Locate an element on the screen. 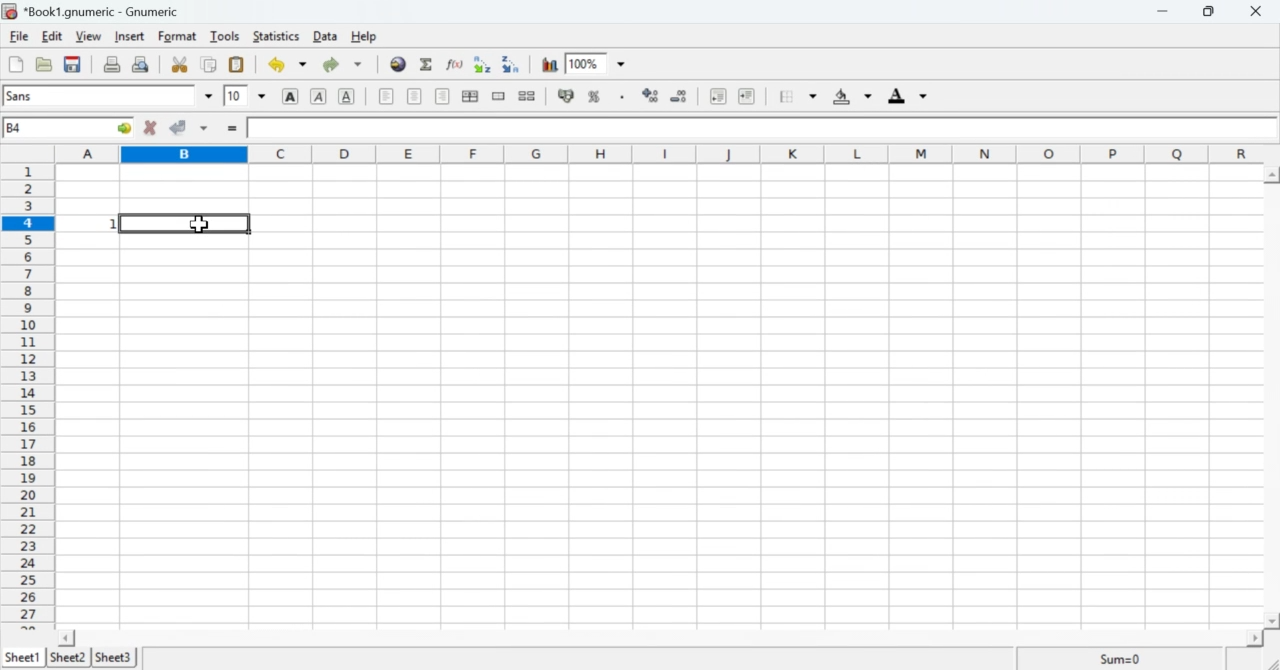 The height and width of the screenshot is (670, 1280). Italics is located at coordinates (320, 97).